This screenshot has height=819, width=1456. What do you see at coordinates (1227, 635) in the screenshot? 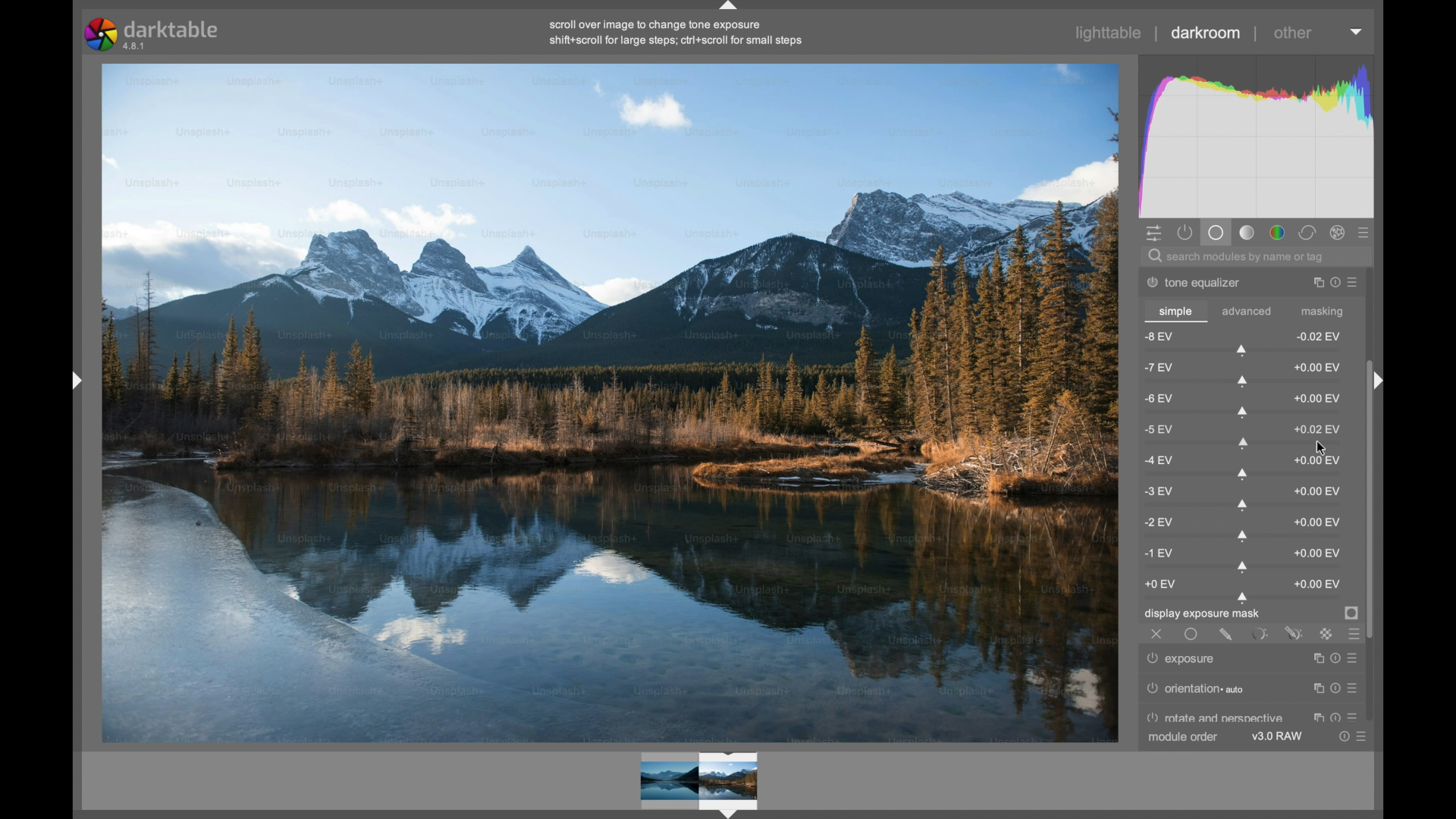
I see `drawn mask` at bounding box center [1227, 635].